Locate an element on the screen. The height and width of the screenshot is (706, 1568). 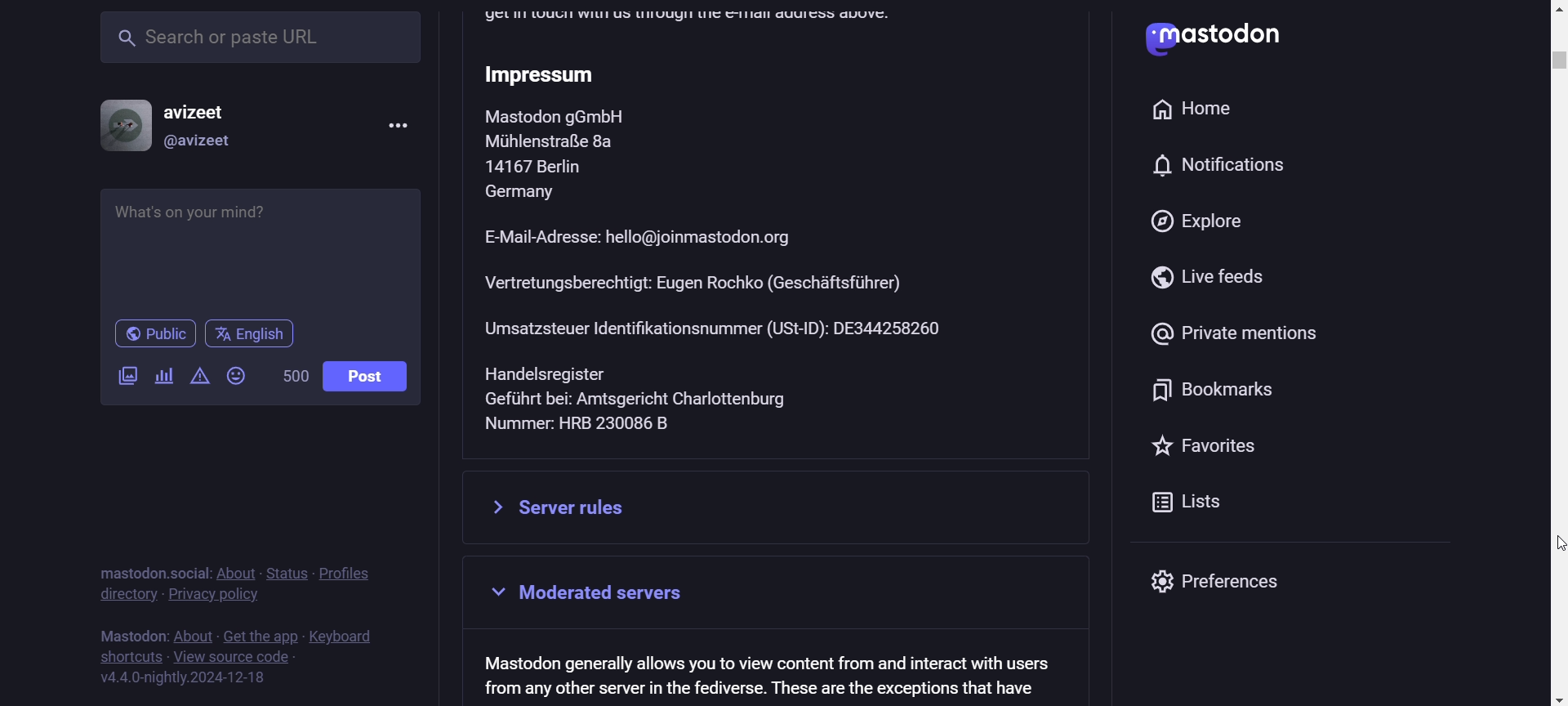
menu is located at coordinates (395, 124).